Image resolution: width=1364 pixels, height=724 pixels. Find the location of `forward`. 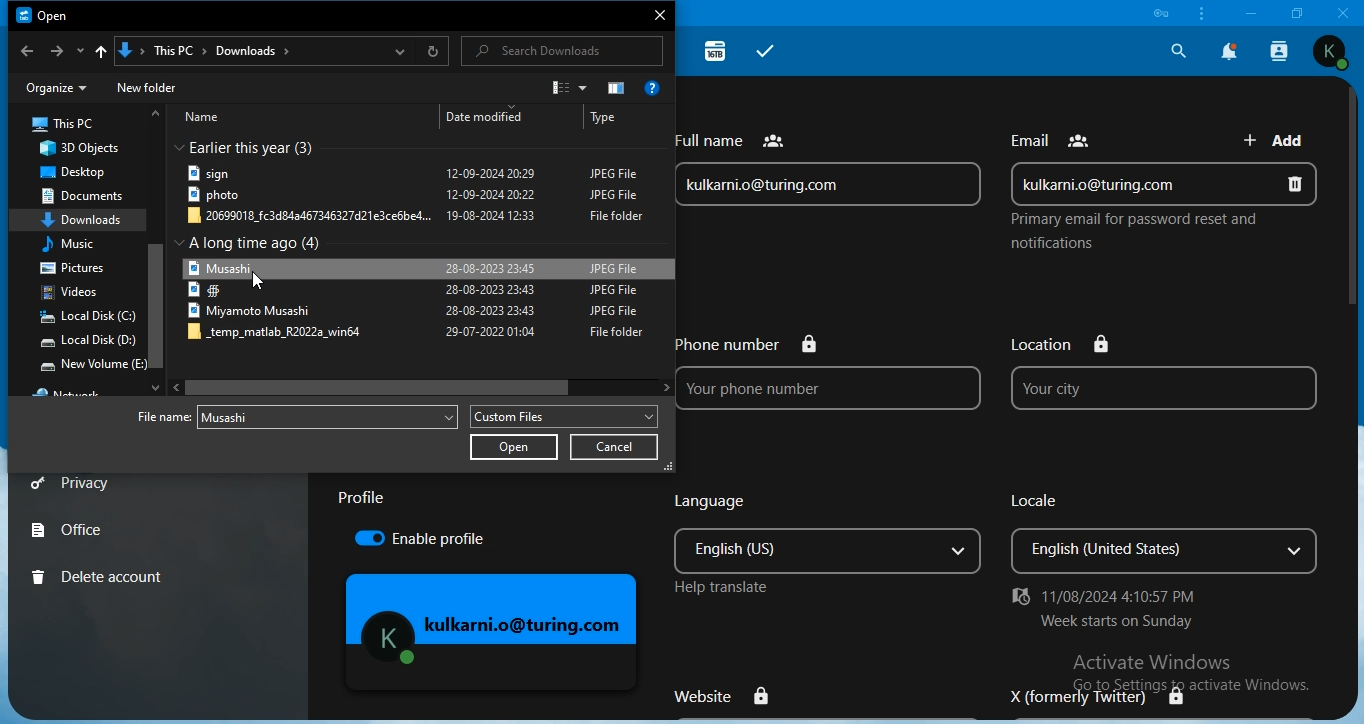

forward is located at coordinates (57, 50).